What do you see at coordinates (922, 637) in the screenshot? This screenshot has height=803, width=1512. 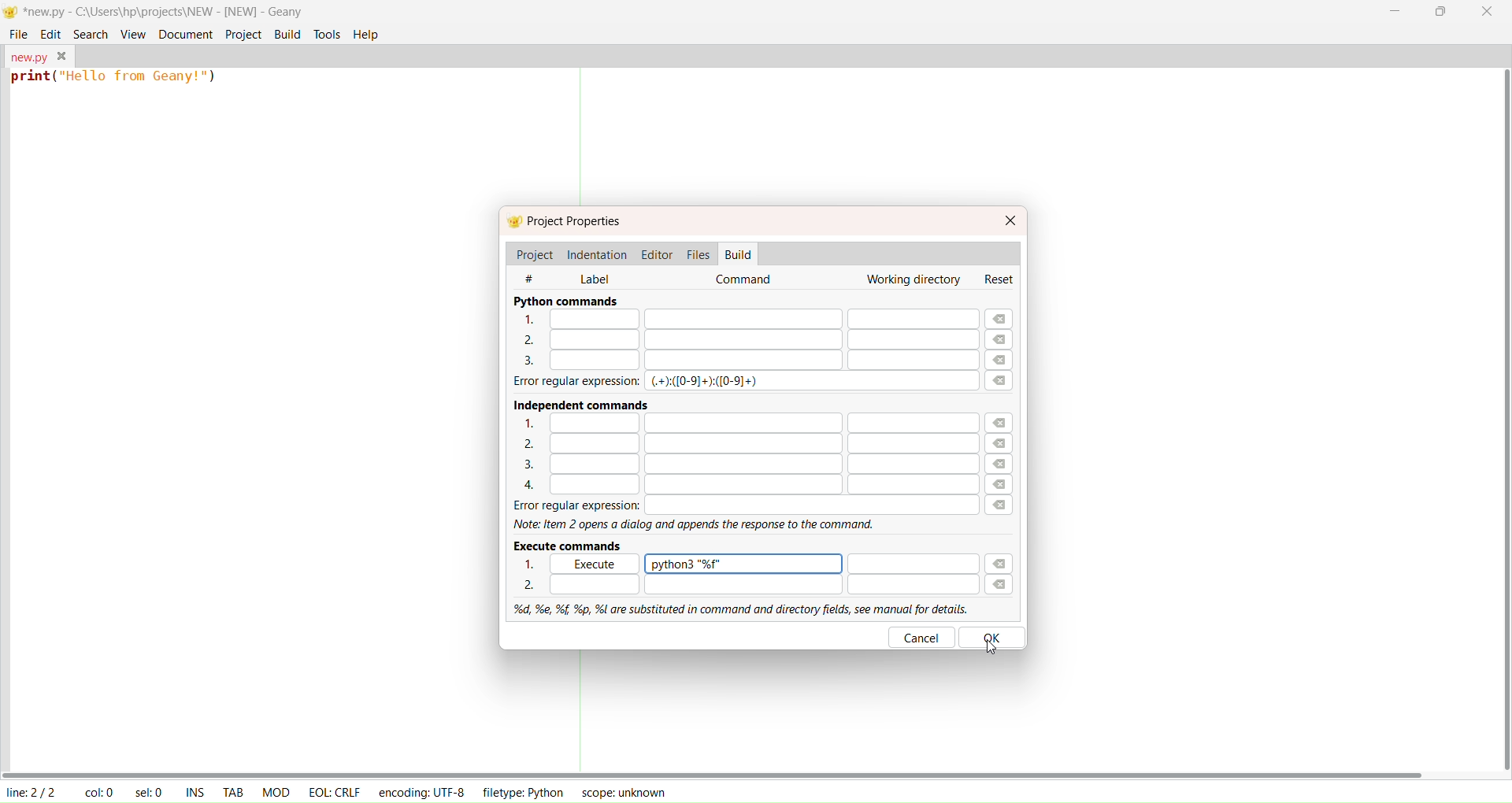 I see `cancel` at bounding box center [922, 637].